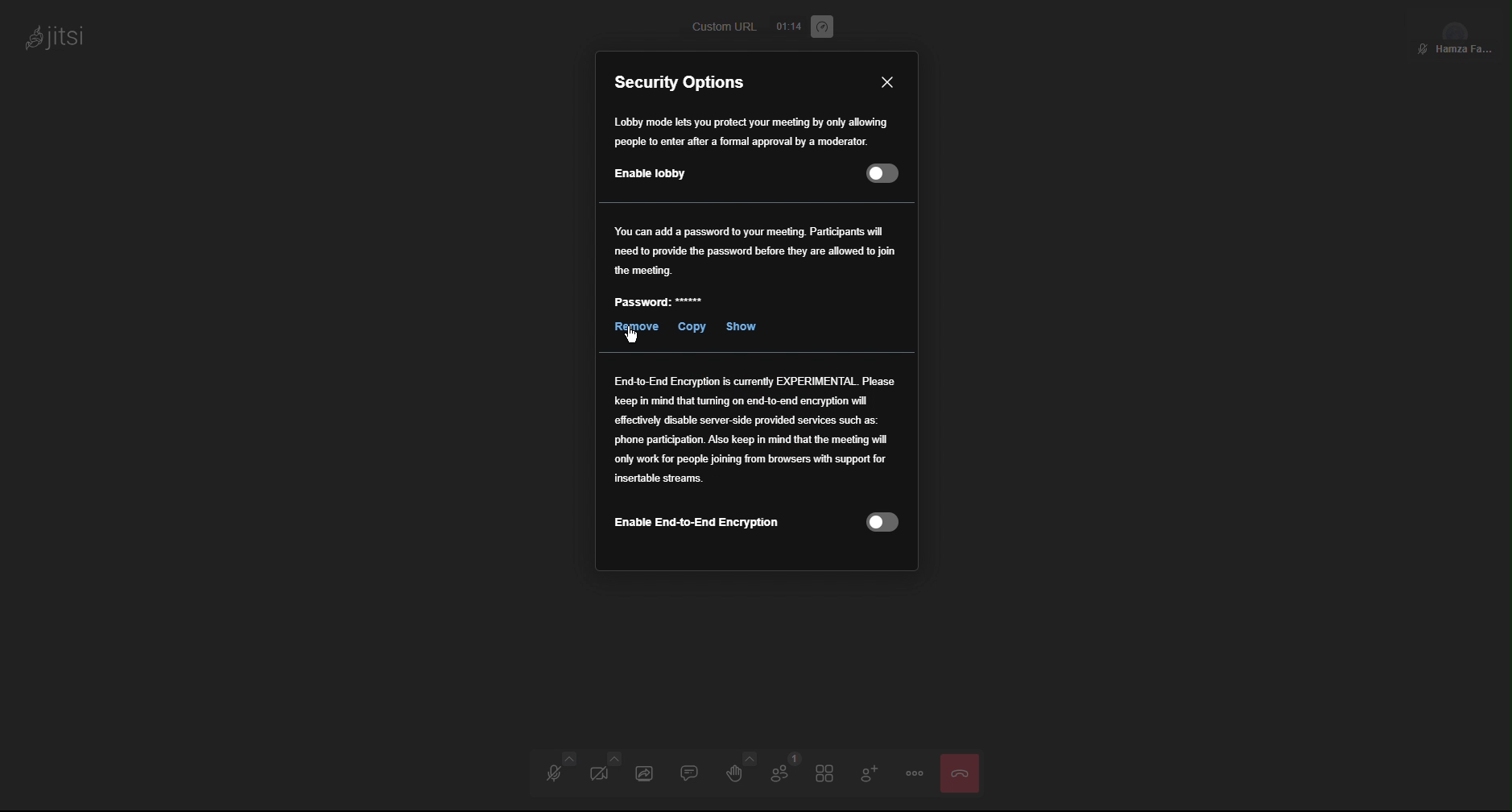  I want to click on Remove, so click(638, 329).